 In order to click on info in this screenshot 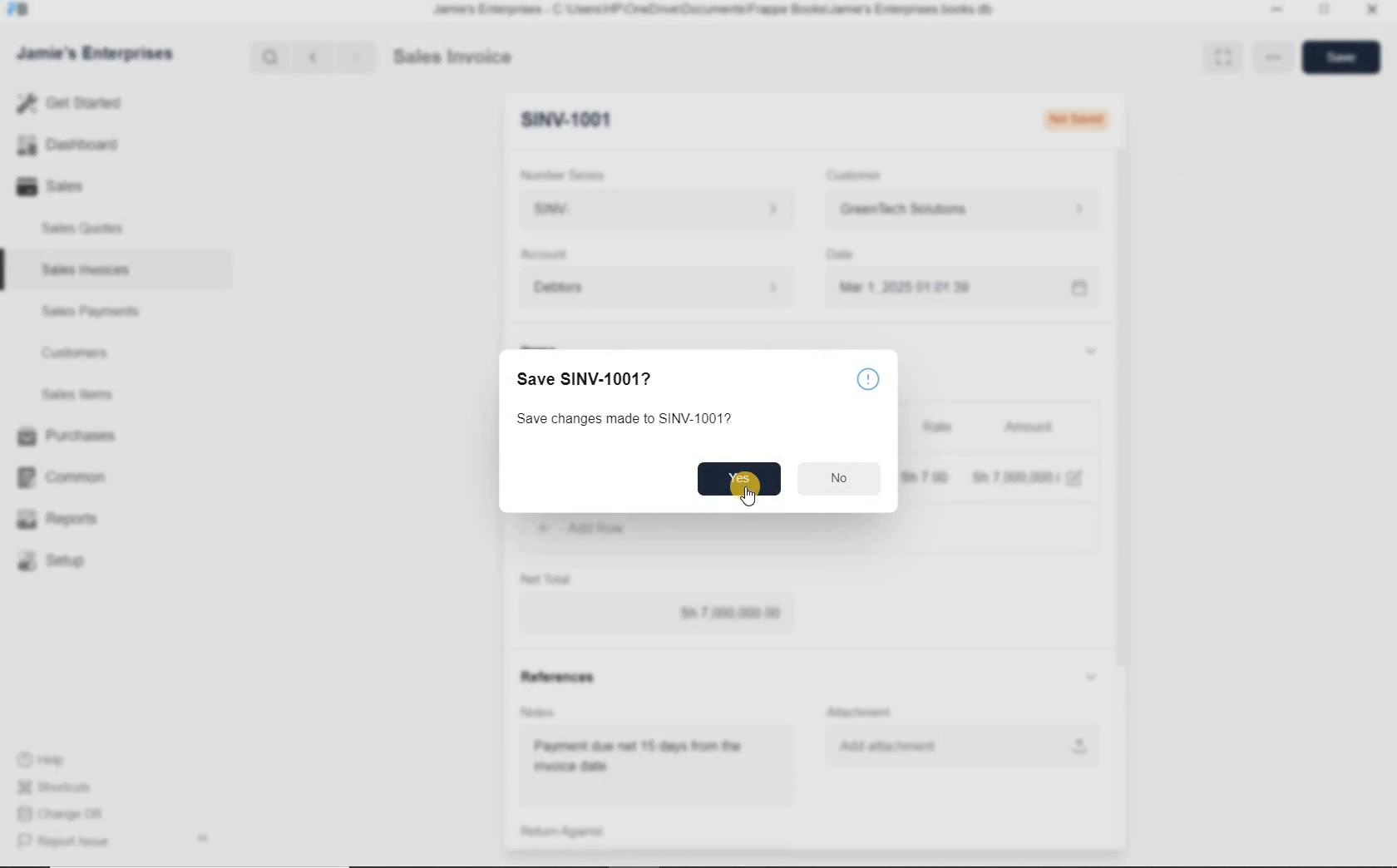, I will do `click(867, 379)`.